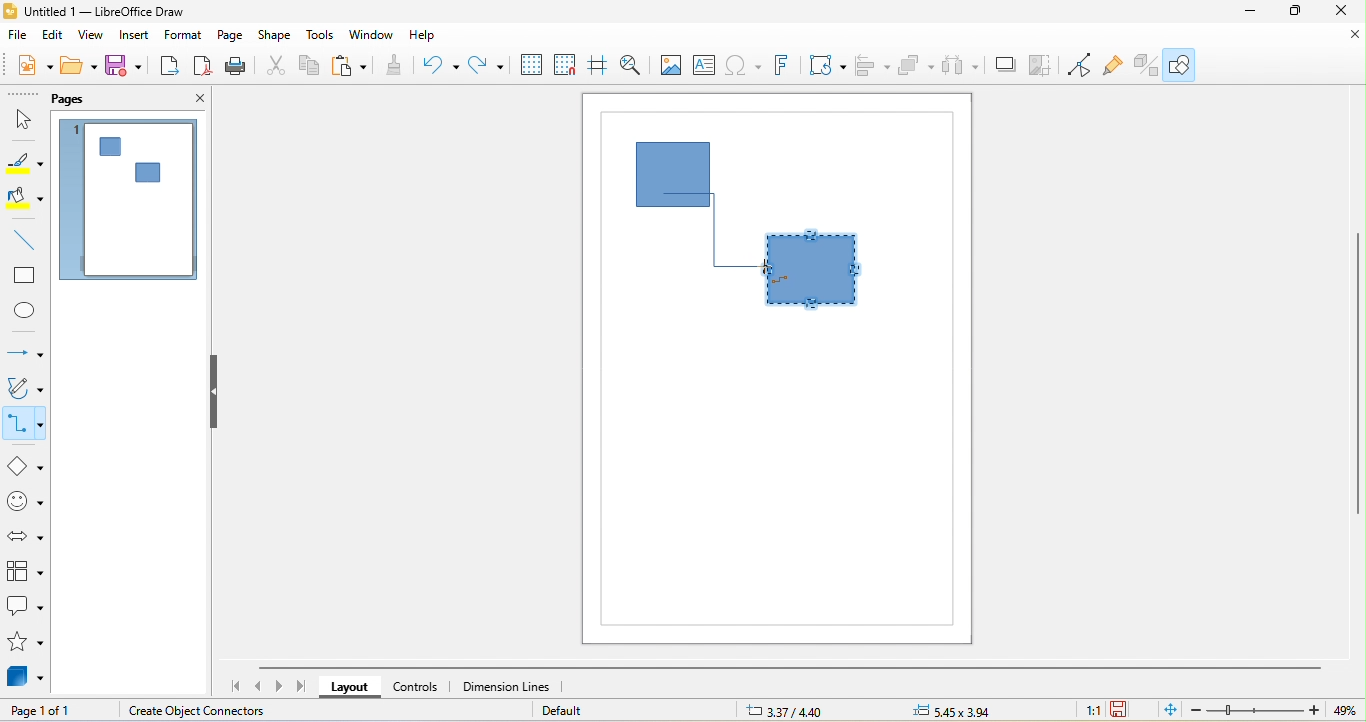 The width and height of the screenshot is (1366, 722). What do you see at coordinates (1253, 14) in the screenshot?
I see `minimize` at bounding box center [1253, 14].